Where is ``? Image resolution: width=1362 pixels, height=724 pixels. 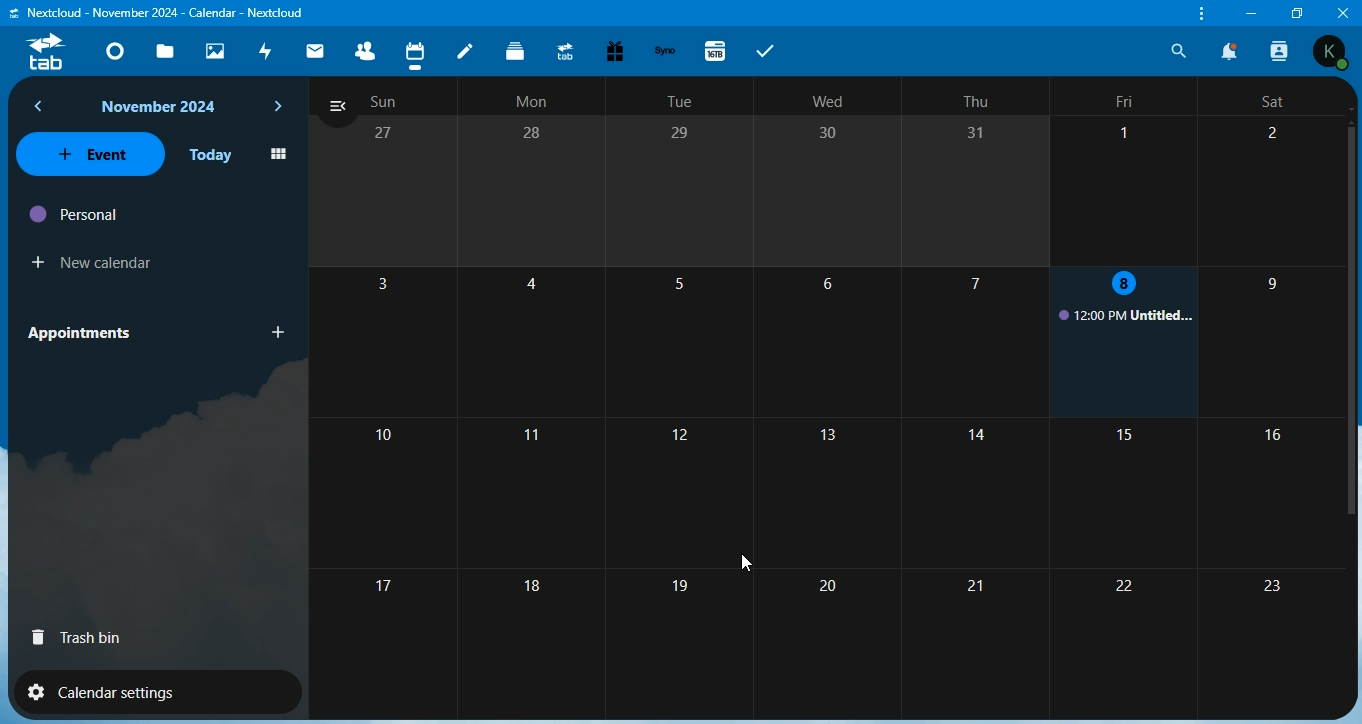
 is located at coordinates (1334, 52).